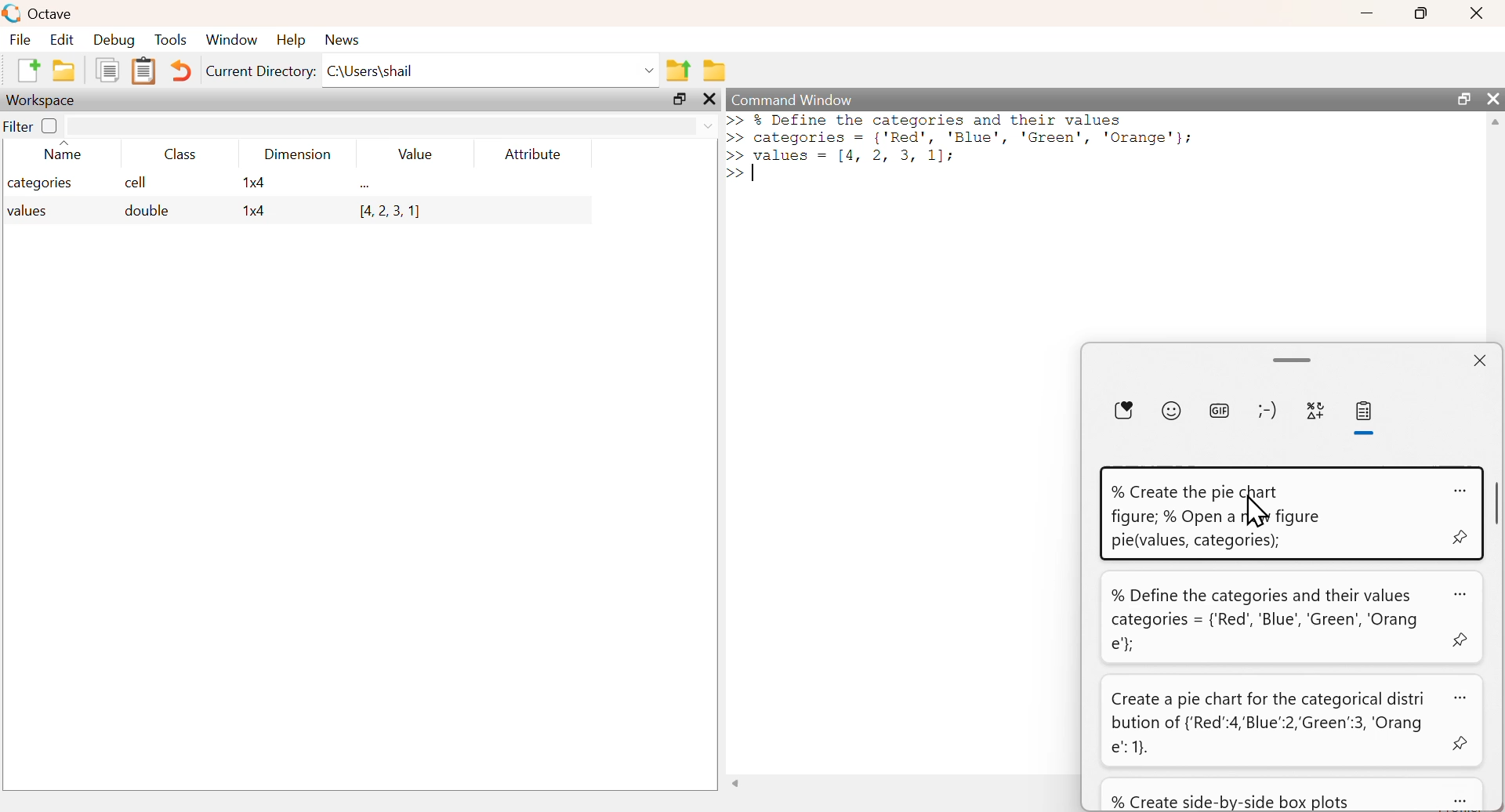 The image size is (1505, 812). I want to click on Value, so click(416, 154).